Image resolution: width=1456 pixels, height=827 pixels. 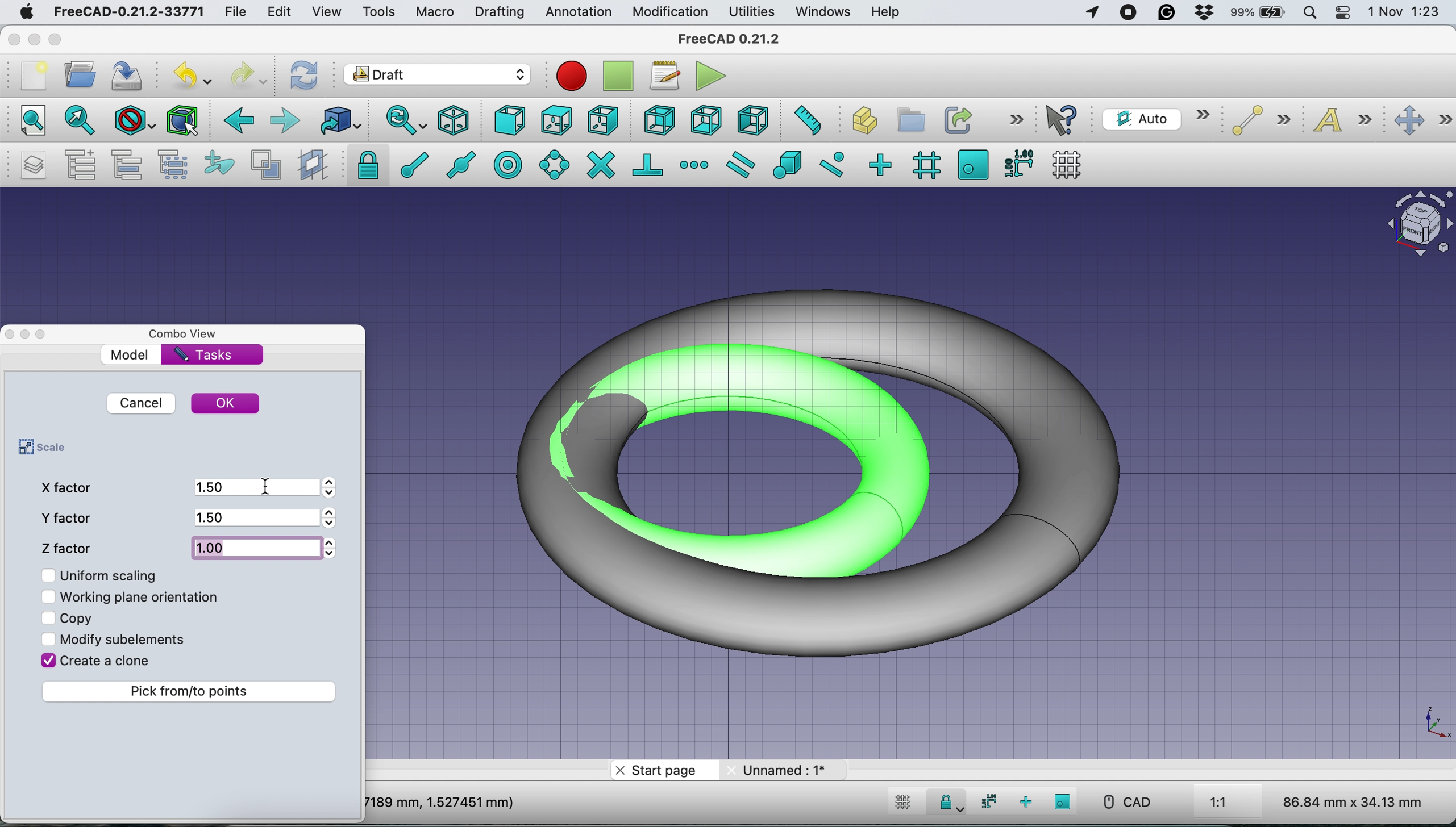 What do you see at coordinates (1422, 121) in the screenshot?
I see `move` at bounding box center [1422, 121].